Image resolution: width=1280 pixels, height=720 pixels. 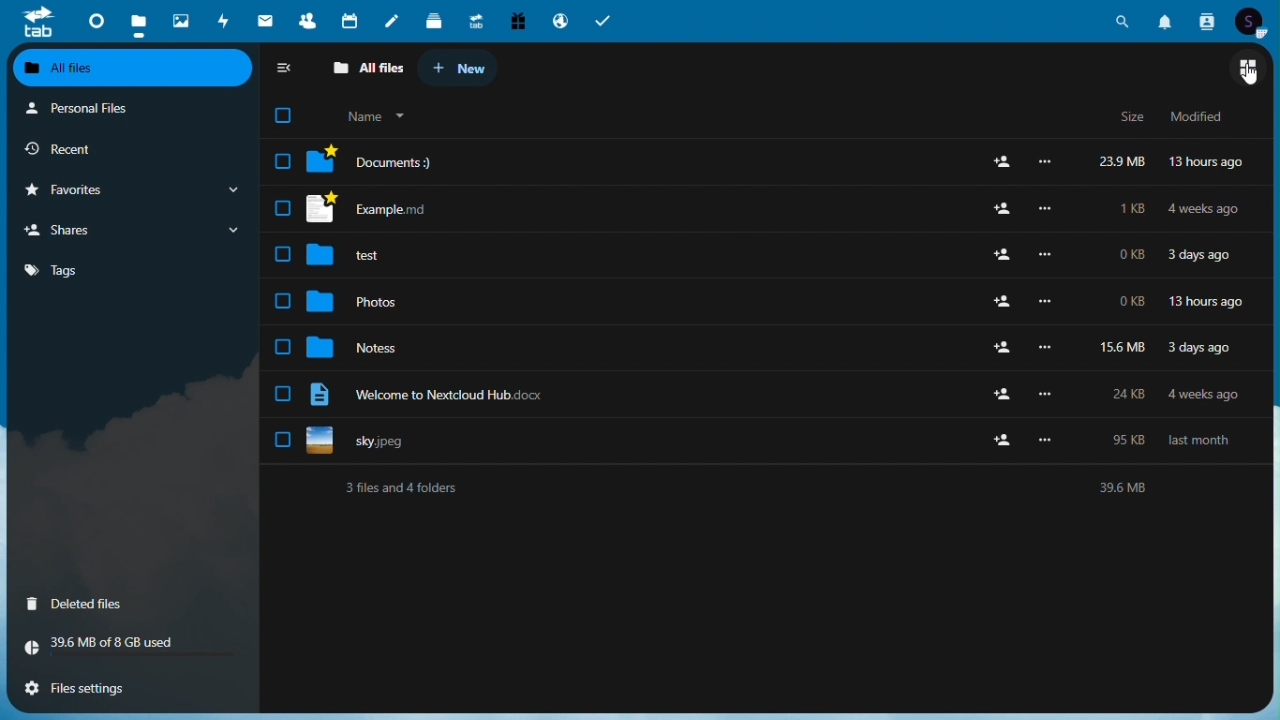 I want to click on more options, so click(x=1044, y=440).